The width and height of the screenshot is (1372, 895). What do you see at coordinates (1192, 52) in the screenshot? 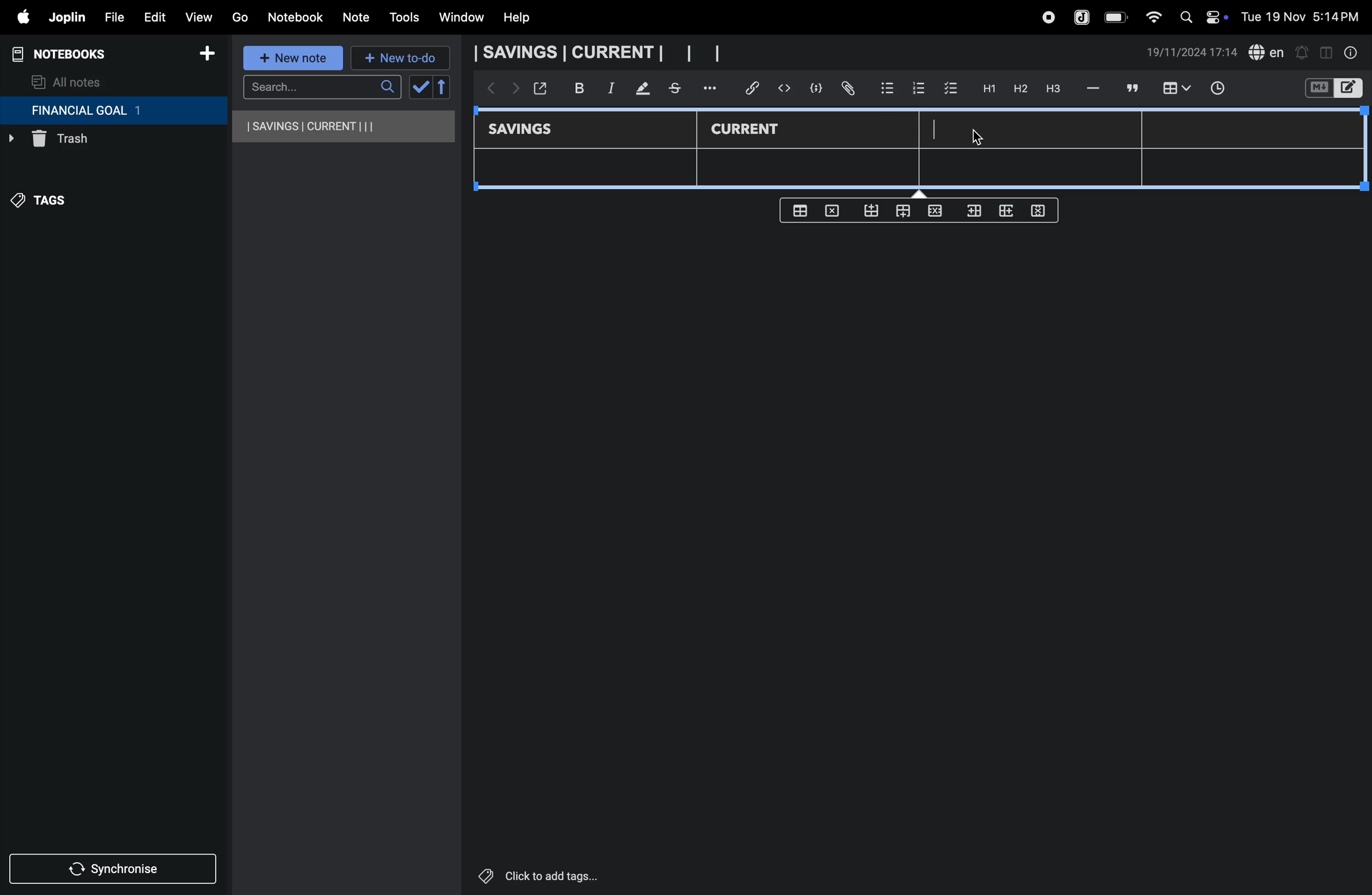
I see `date and time` at bounding box center [1192, 52].